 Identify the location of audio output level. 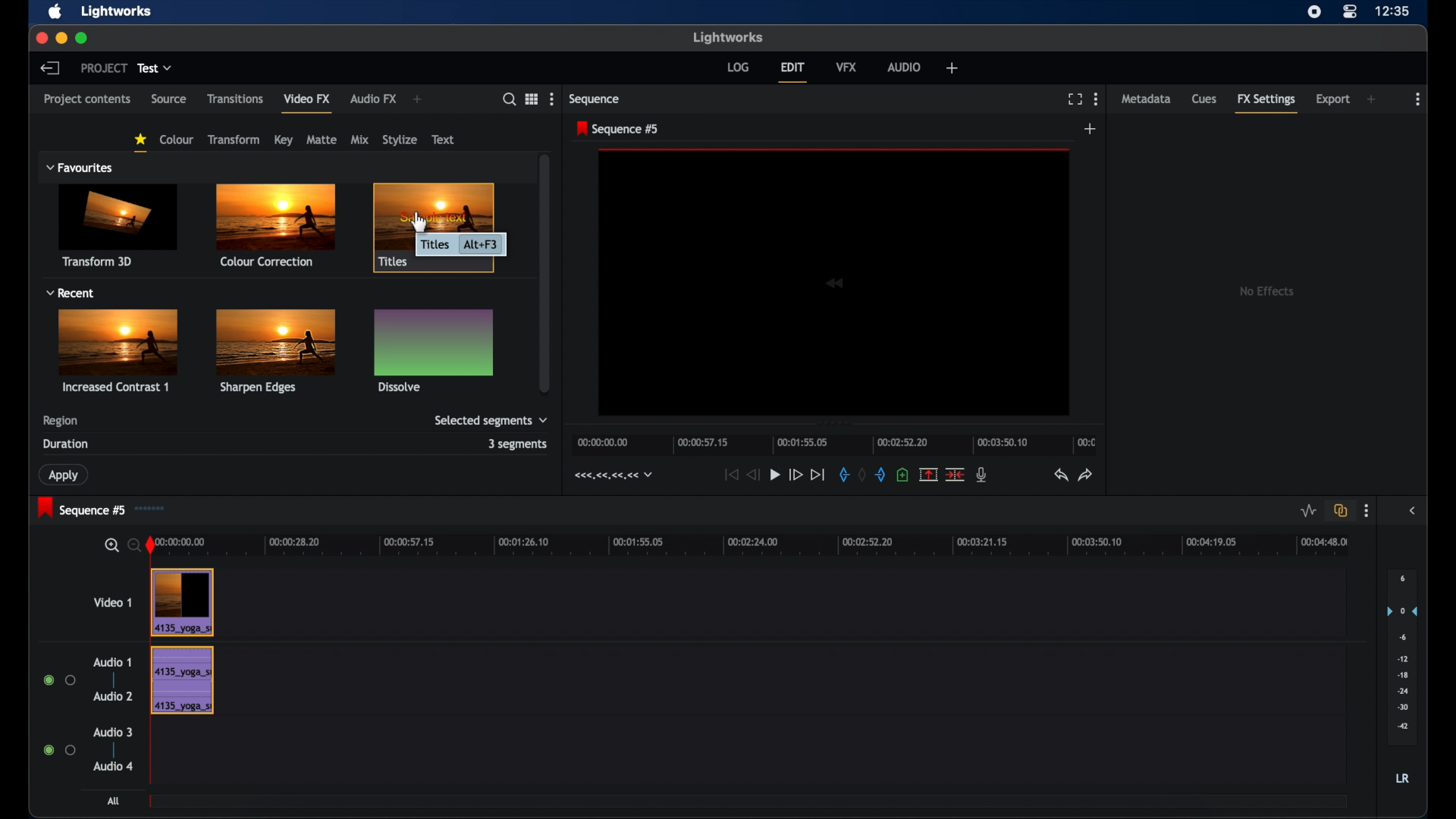
(1402, 658).